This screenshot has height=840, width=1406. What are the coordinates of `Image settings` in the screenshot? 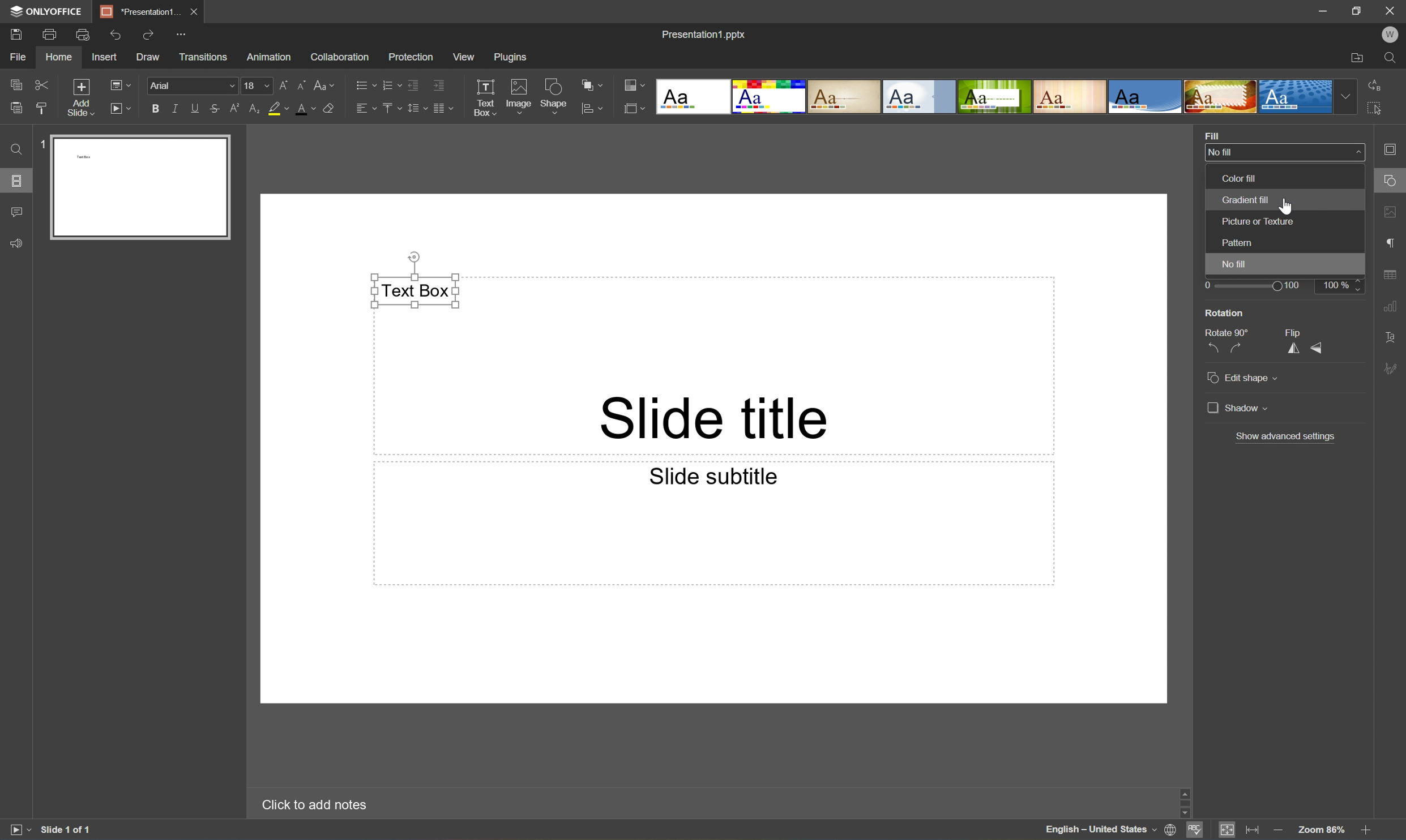 It's located at (1392, 213).